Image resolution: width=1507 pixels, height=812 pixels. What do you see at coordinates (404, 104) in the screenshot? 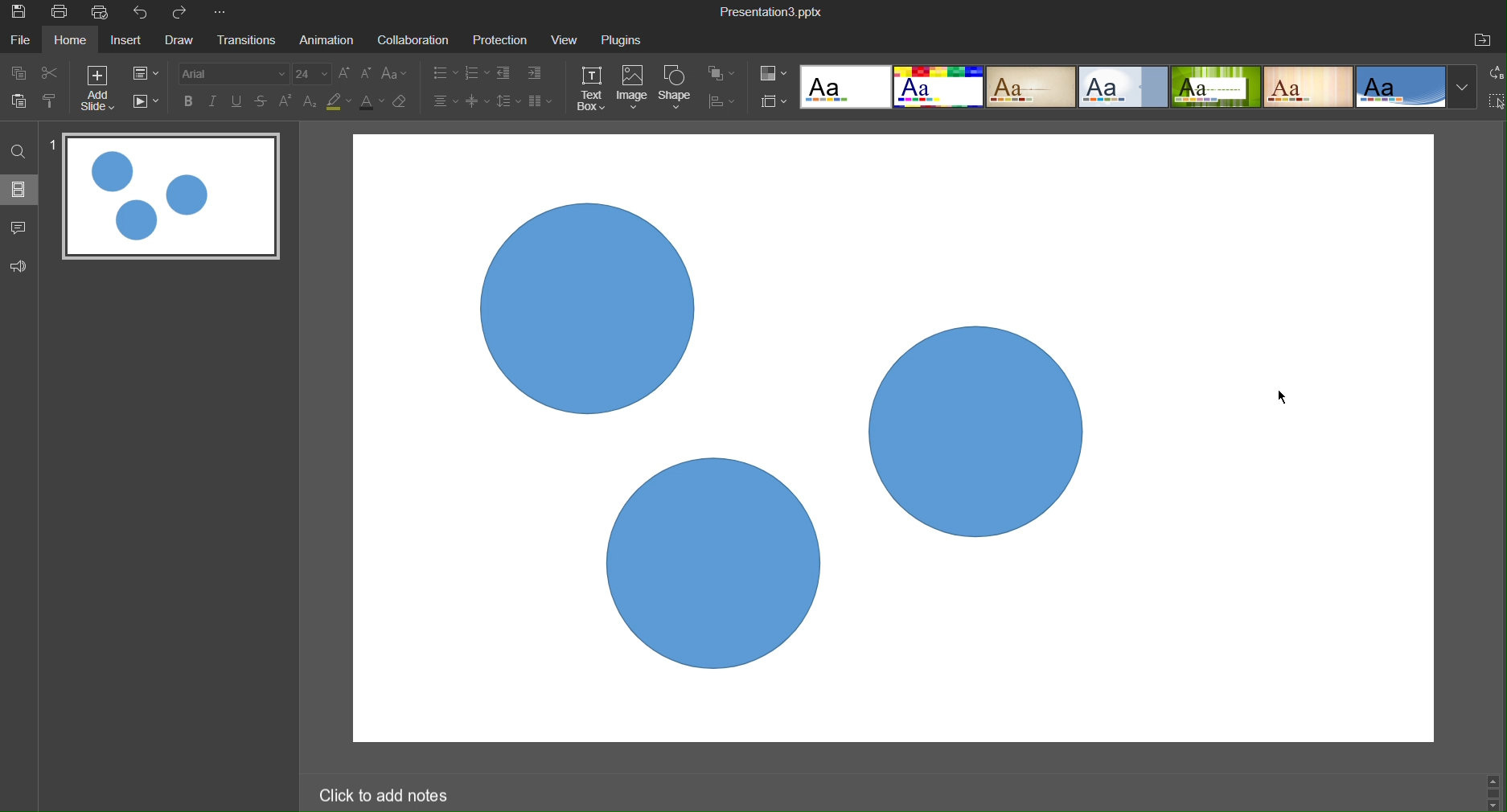
I see `Erase Style` at bounding box center [404, 104].